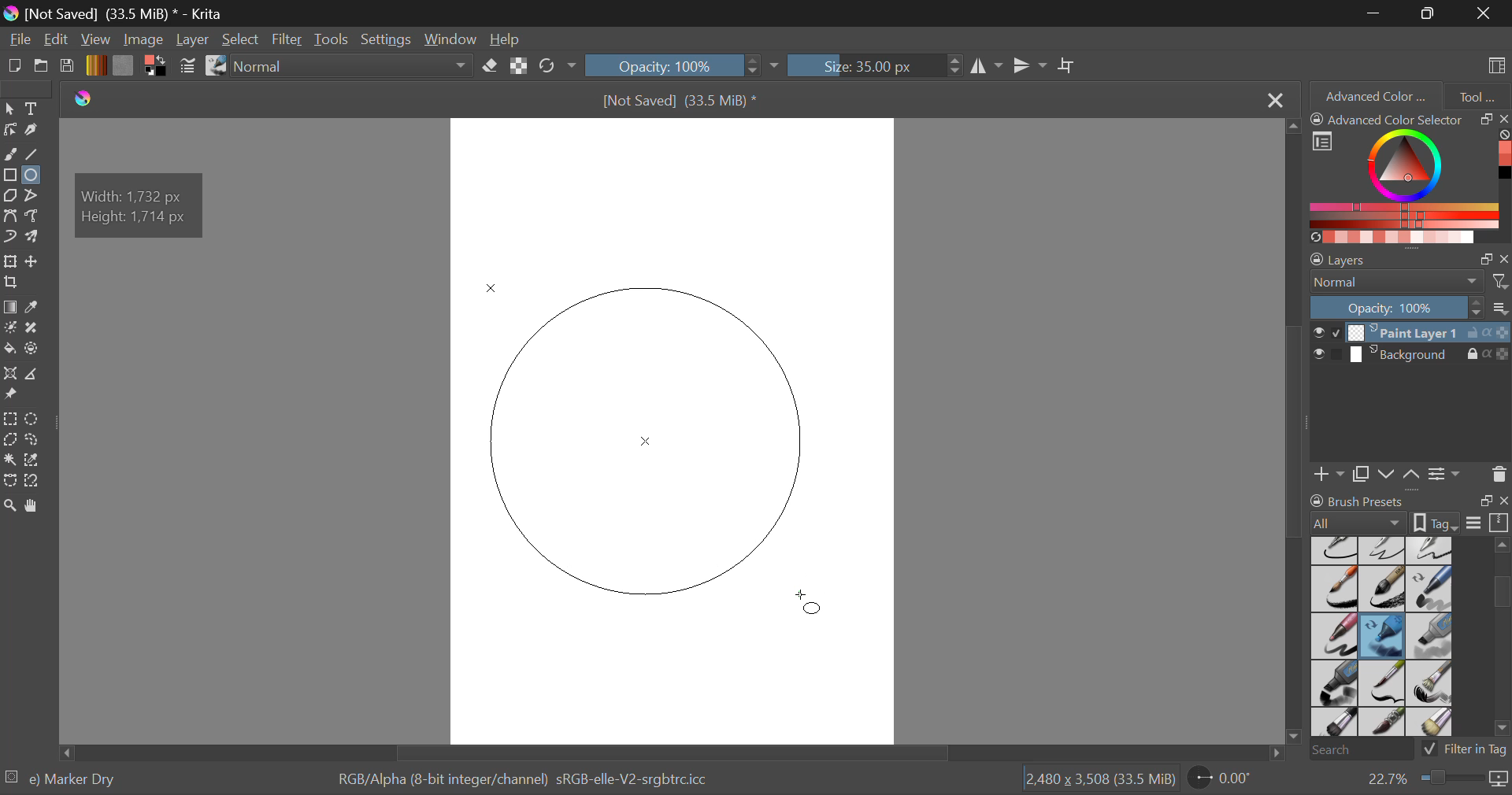 This screenshot has height=795, width=1512. Describe the element at coordinates (1431, 13) in the screenshot. I see `Minimize` at that location.